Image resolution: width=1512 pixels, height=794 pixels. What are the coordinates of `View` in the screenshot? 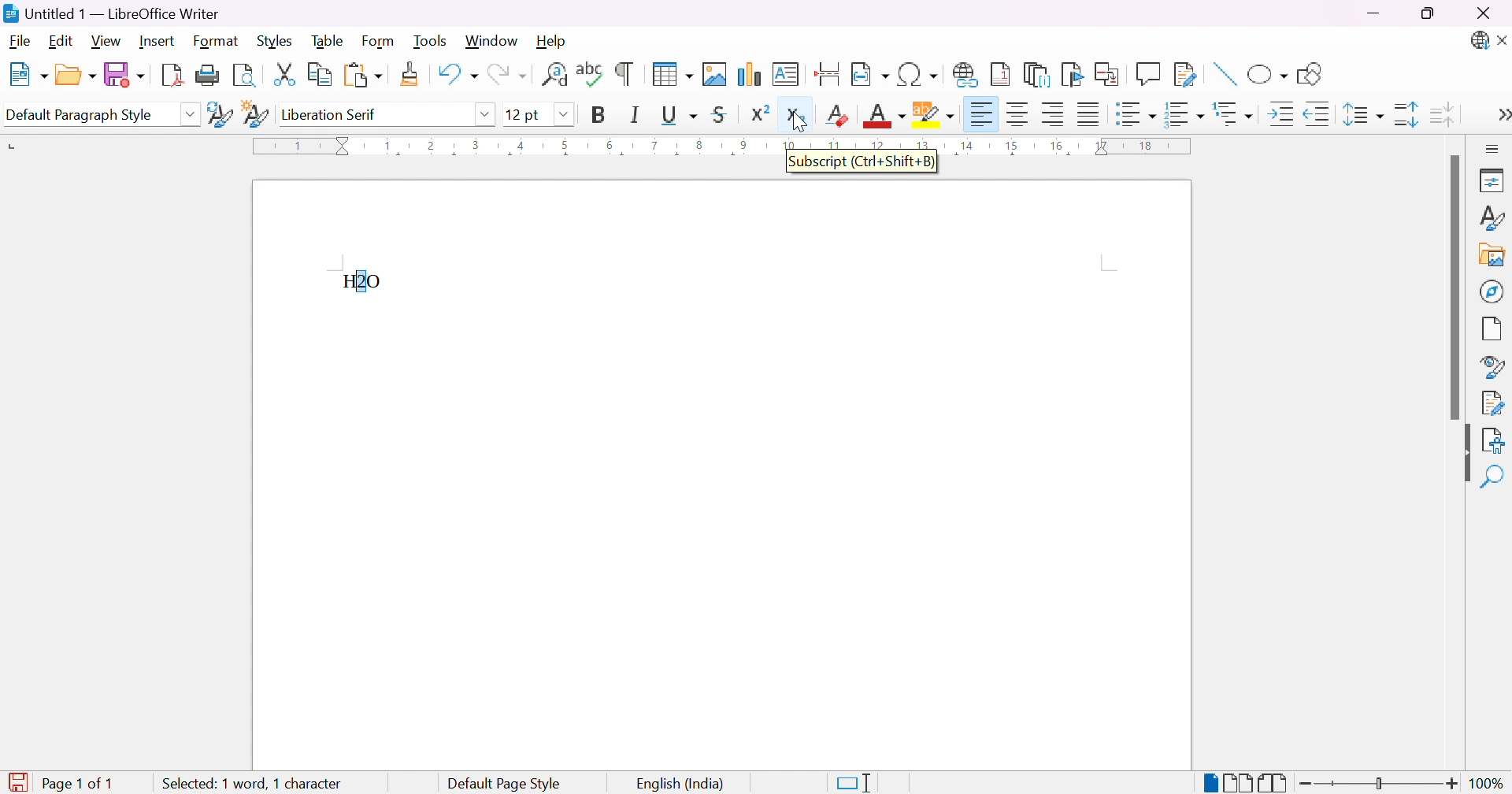 It's located at (108, 40).